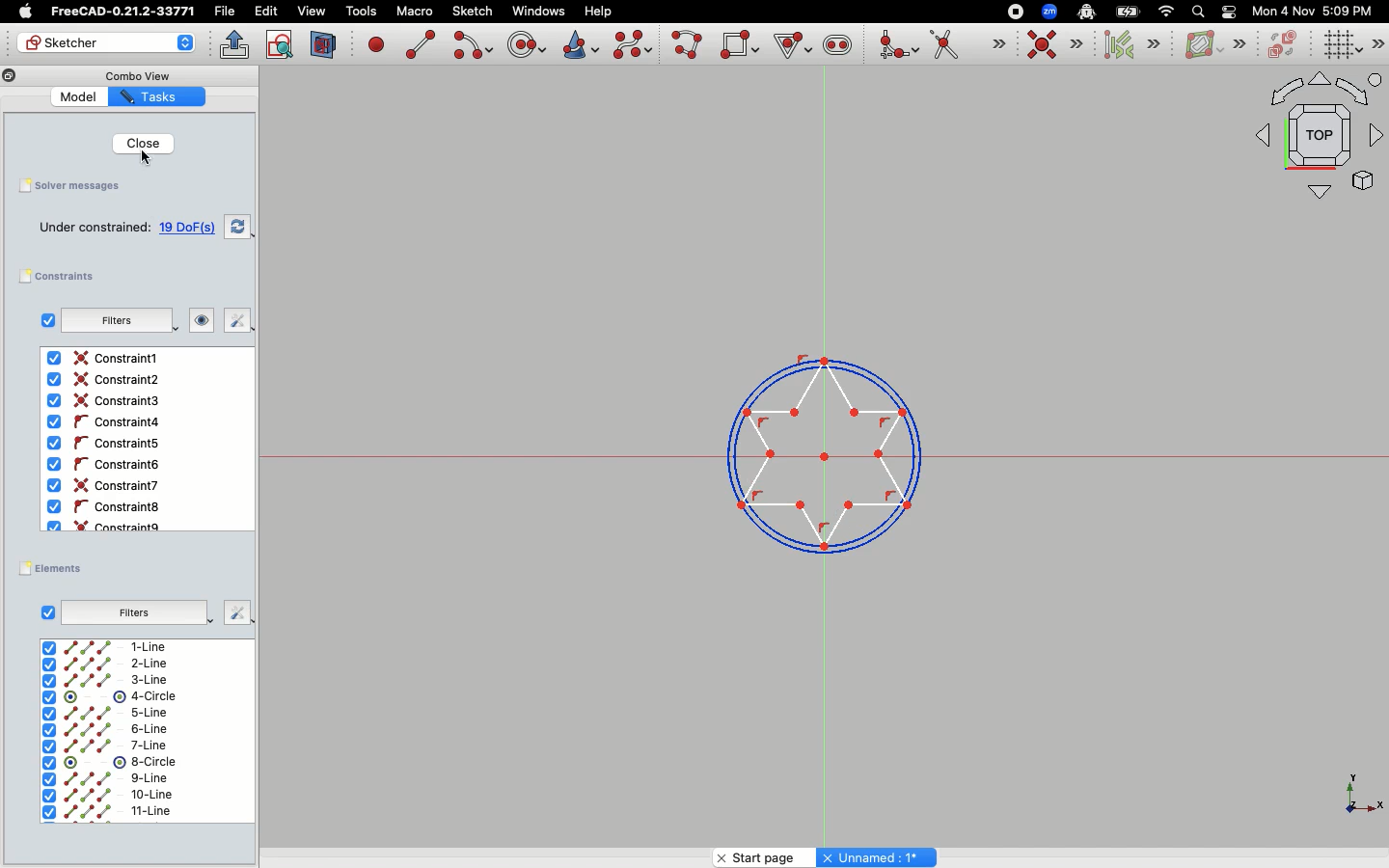 The height and width of the screenshot is (868, 1389). I want to click on Under constrained: 19 DoFs, so click(124, 230).